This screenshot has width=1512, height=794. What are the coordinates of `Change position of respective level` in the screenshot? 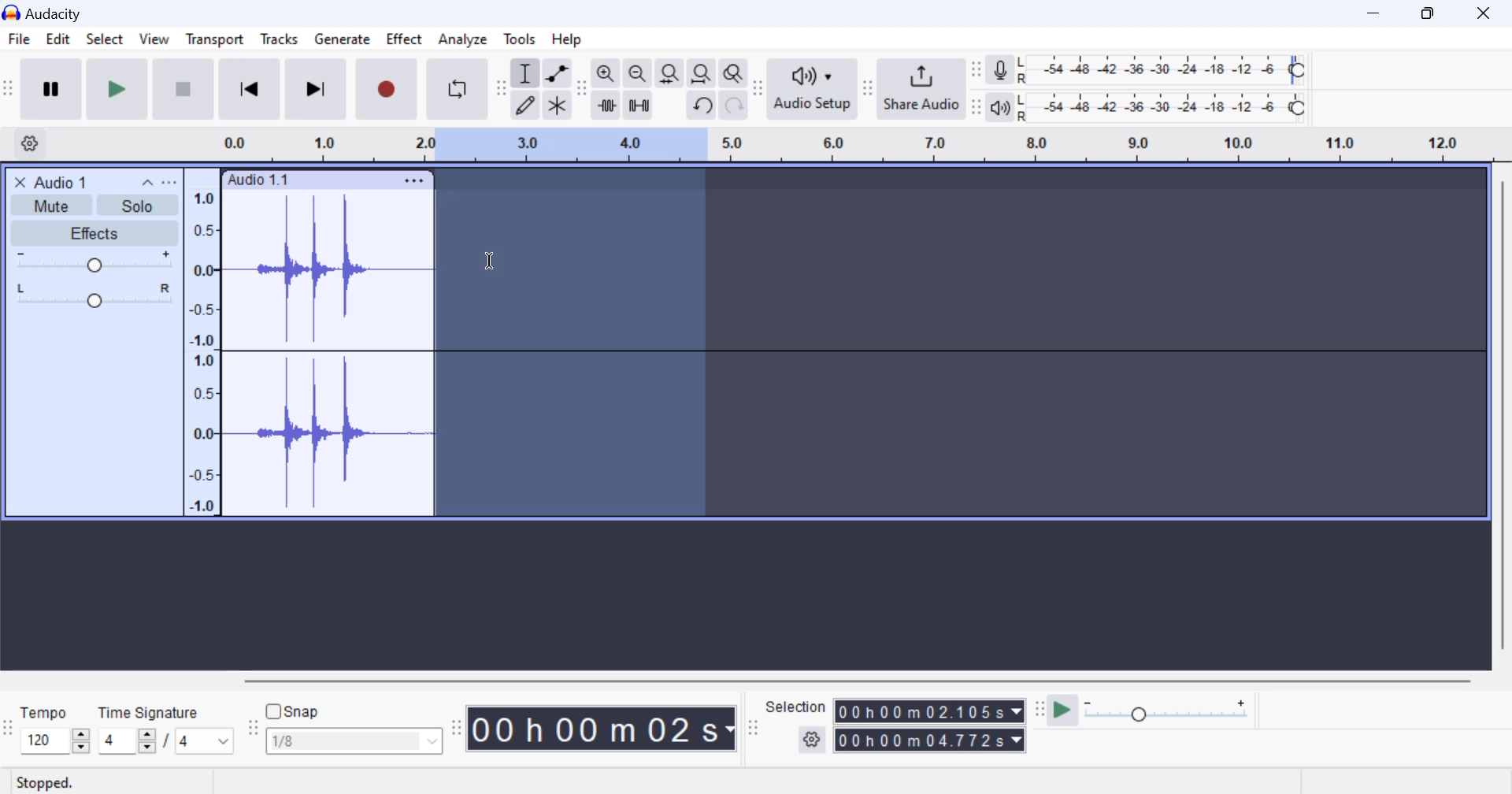 It's located at (977, 88).